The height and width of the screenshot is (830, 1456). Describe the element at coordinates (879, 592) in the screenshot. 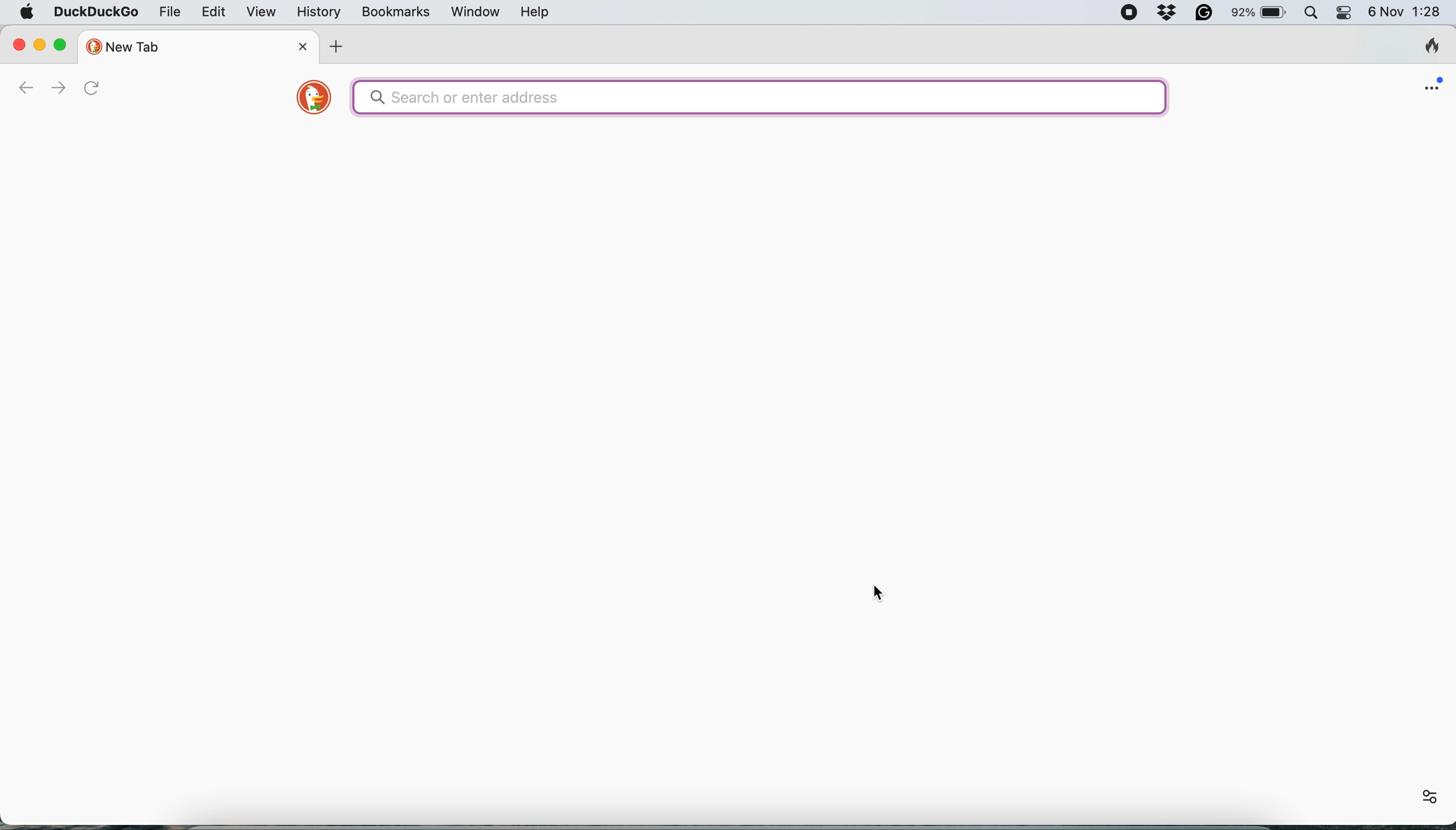

I see `cursor` at that location.